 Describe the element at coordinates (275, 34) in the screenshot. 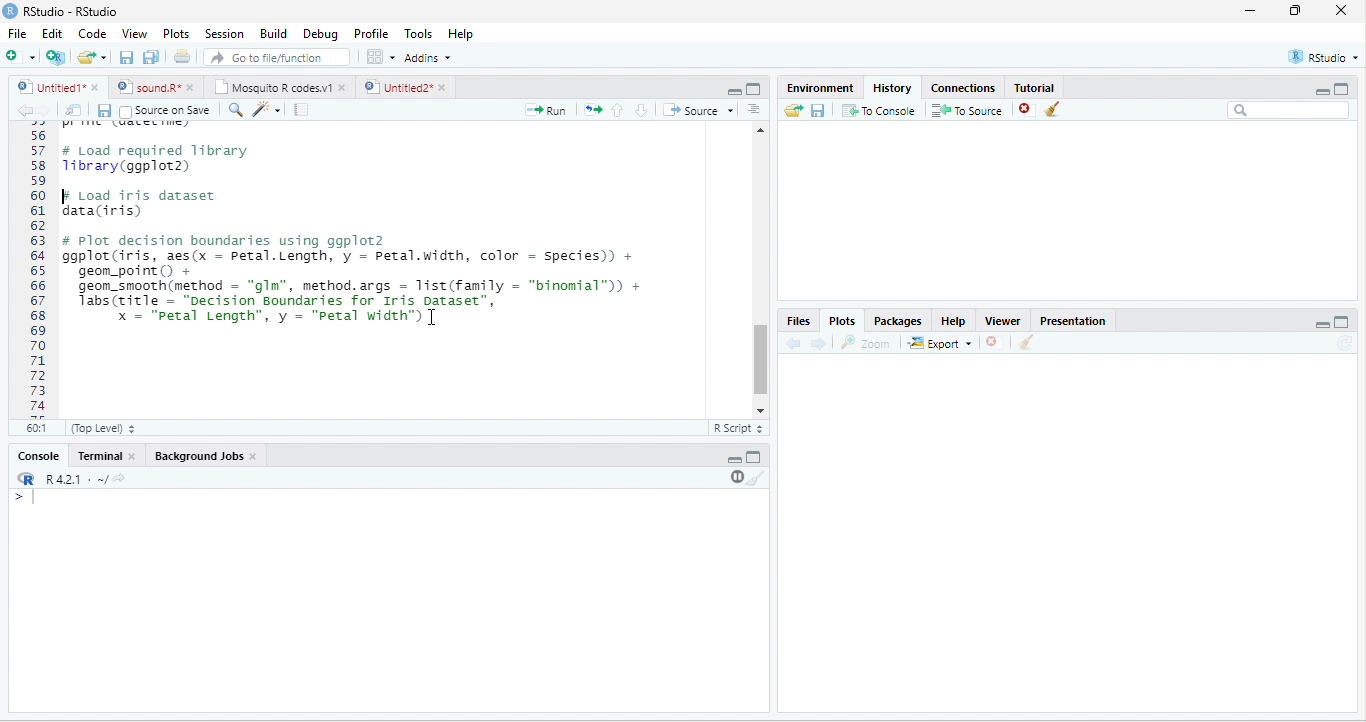

I see `Build` at that location.